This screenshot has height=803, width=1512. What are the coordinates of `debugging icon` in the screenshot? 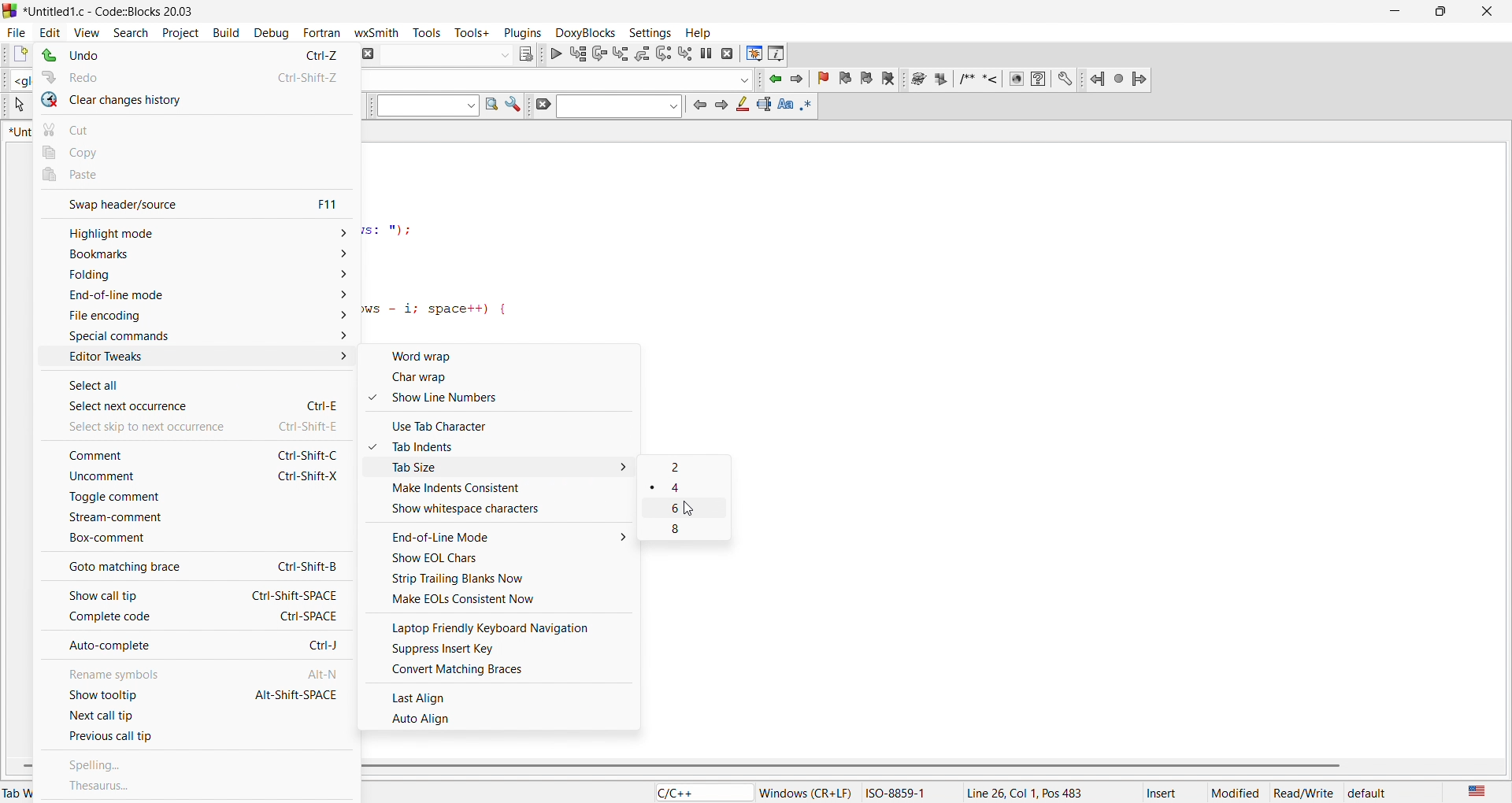 It's located at (643, 52).